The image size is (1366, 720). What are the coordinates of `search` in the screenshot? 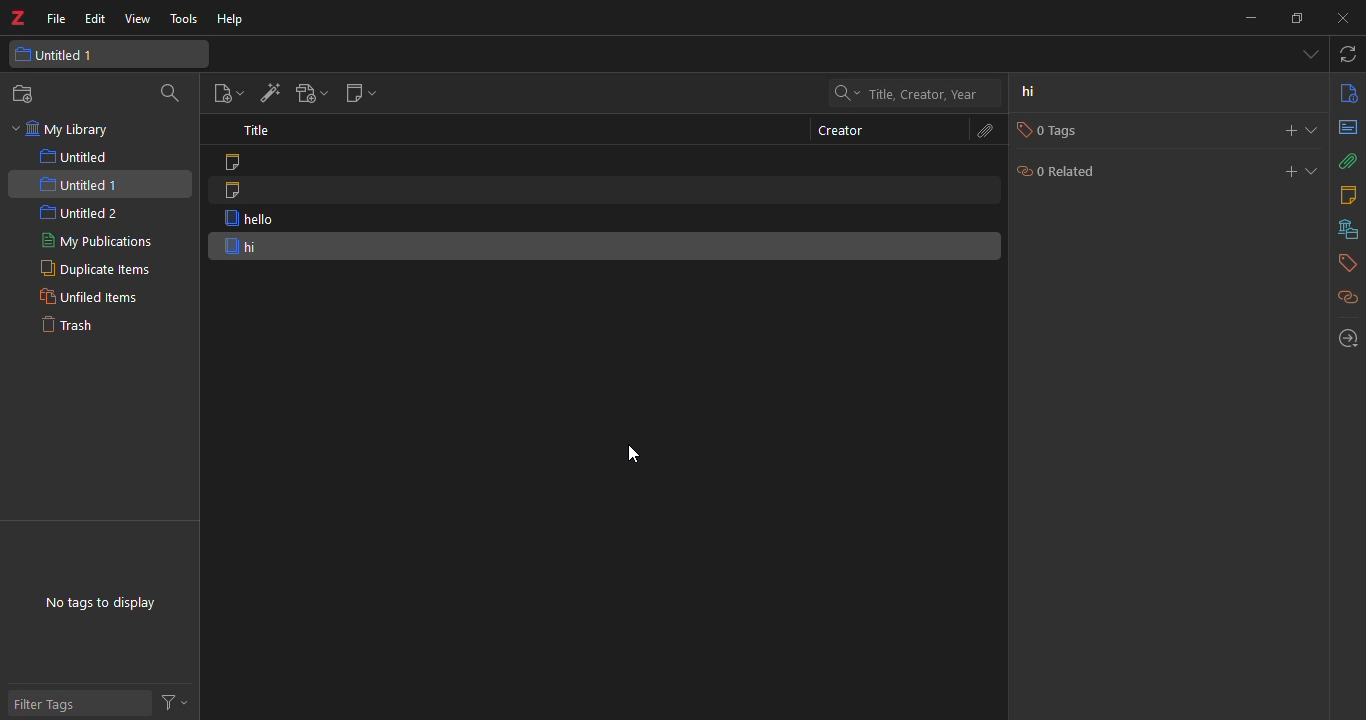 It's located at (907, 92).